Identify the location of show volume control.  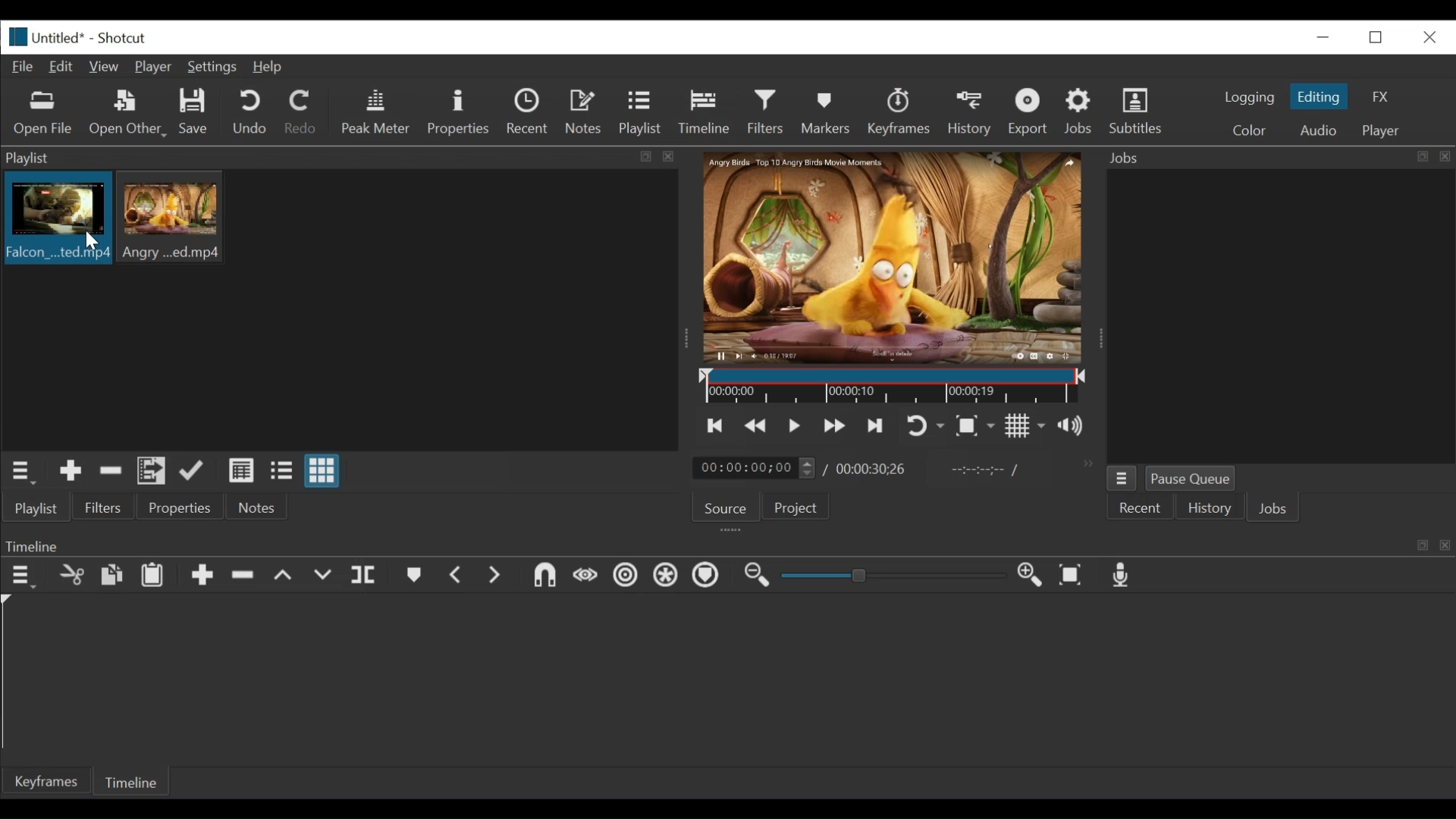
(1077, 427).